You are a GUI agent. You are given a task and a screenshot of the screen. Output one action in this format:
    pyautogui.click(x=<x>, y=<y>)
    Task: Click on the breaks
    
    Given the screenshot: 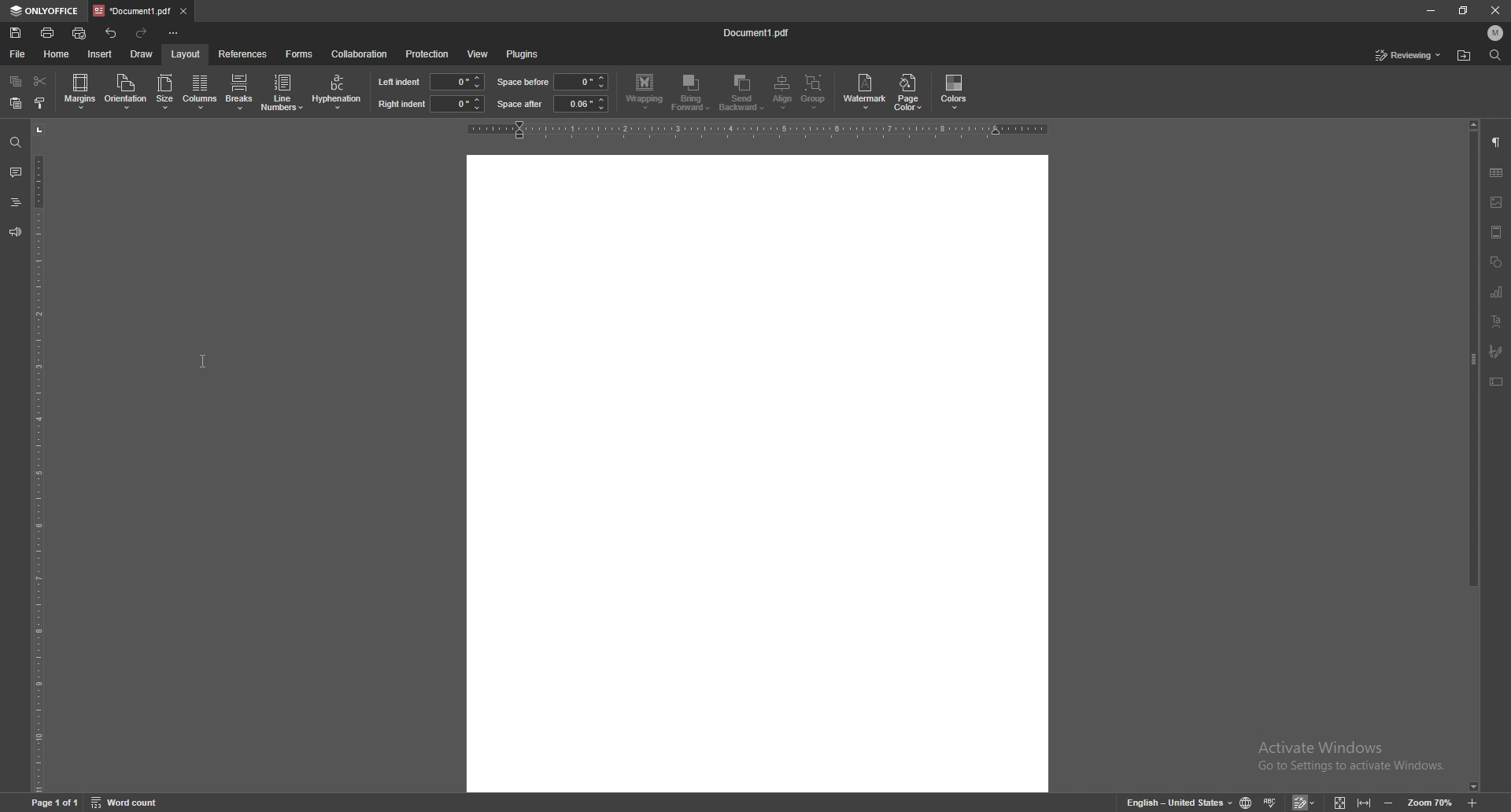 What is the action you would take?
    pyautogui.click(x=238, y=88)
    